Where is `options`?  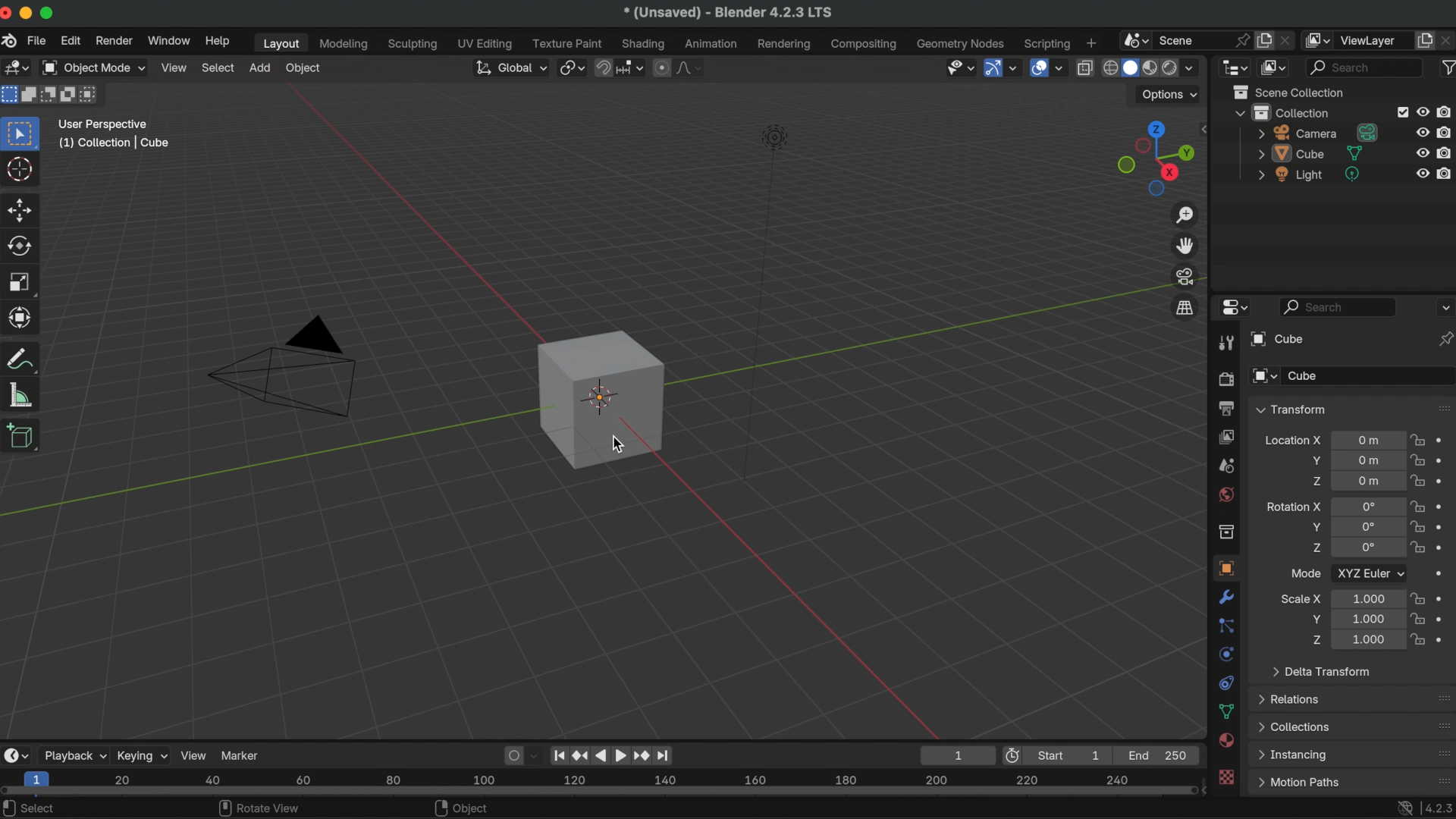
options is located at coordinates (1171, 95).